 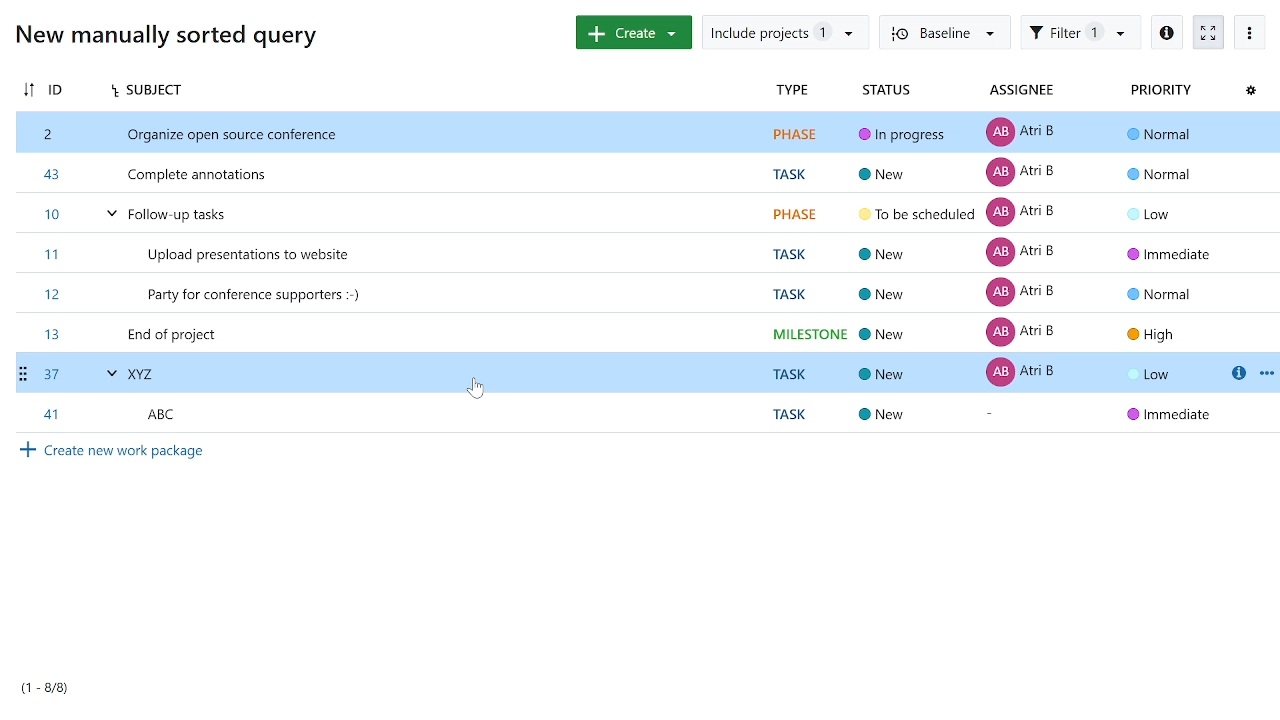 What do you see at coordinates (1237, 373) in the screenshot?
I see `task "XYZ" info` at bounding box center [1237, 373].